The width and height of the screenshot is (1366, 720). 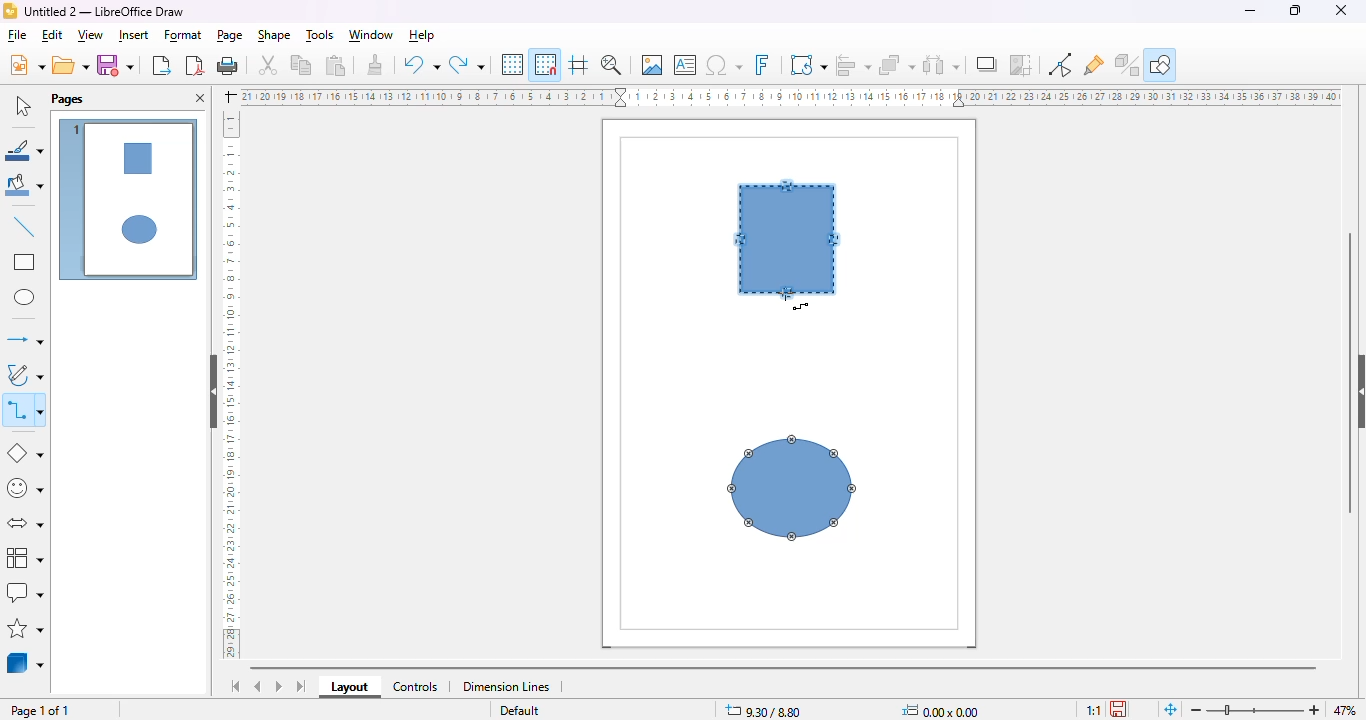 I want to click on default, so click(x=517, y=711).